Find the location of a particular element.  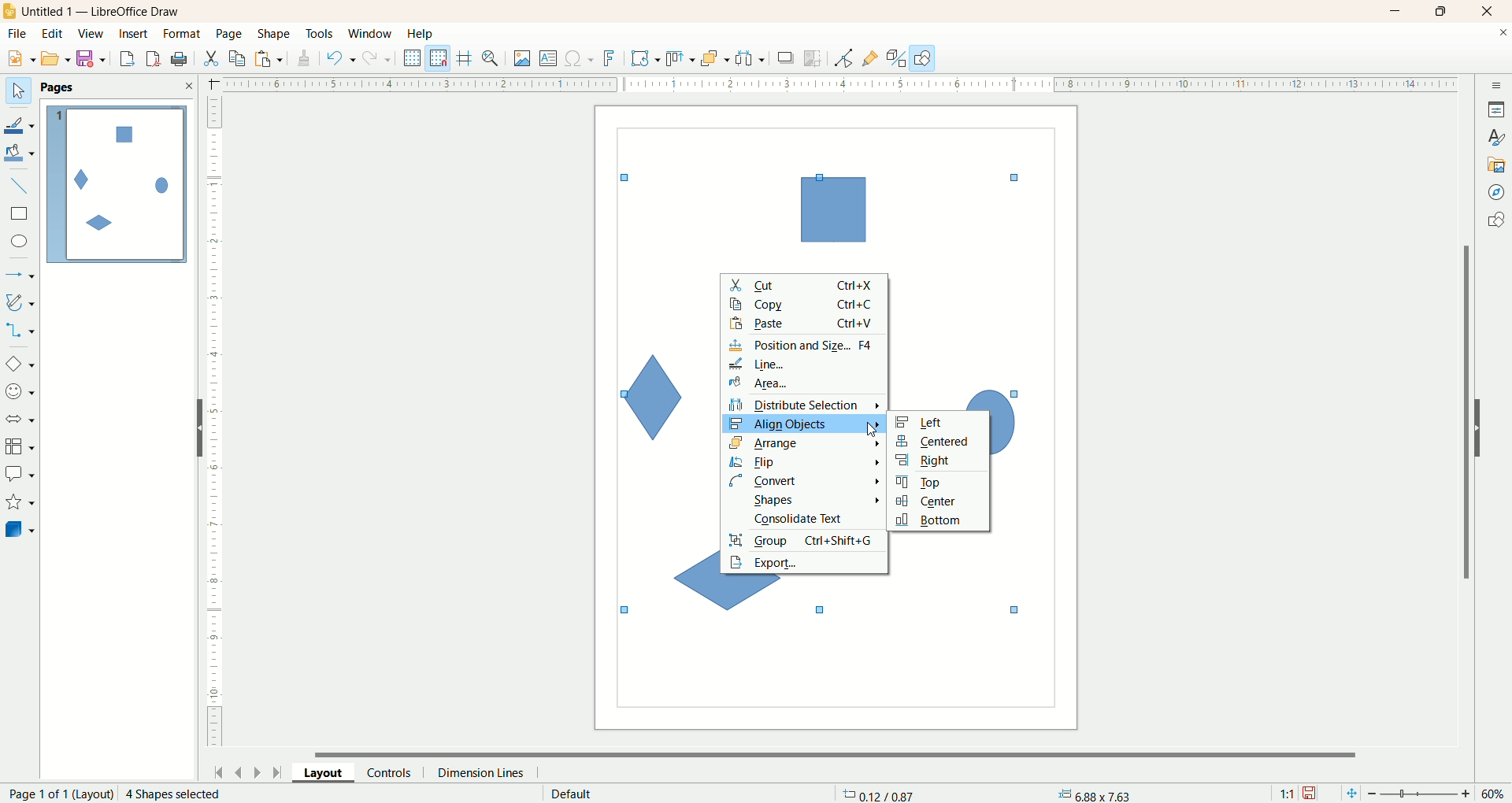

scale bar is located at coordinates (214, 425).